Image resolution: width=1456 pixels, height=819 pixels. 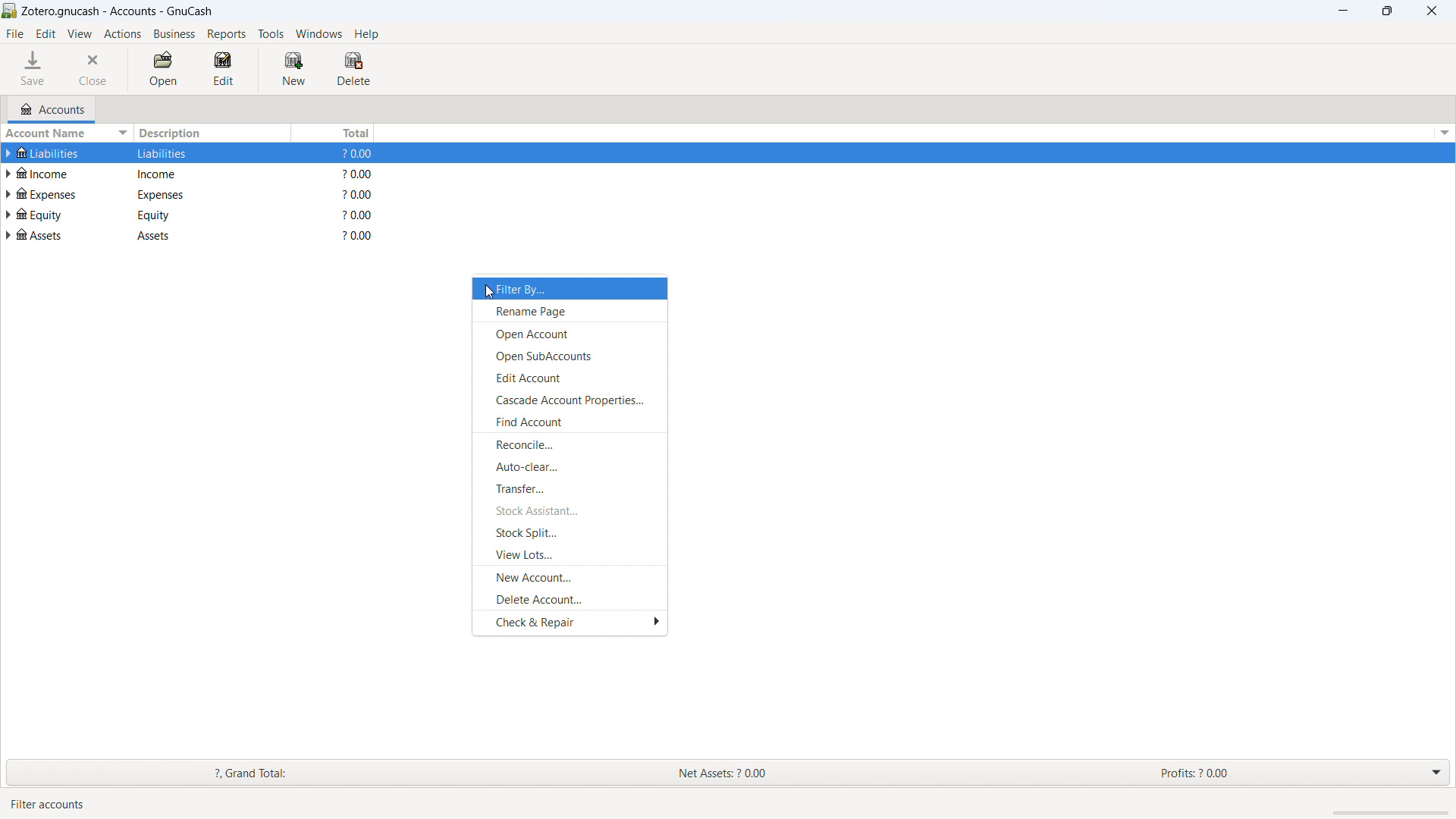 What do you see at coordinates (569, 334) in the screenshot?
I see `open account` at bounding box center [569, 334].